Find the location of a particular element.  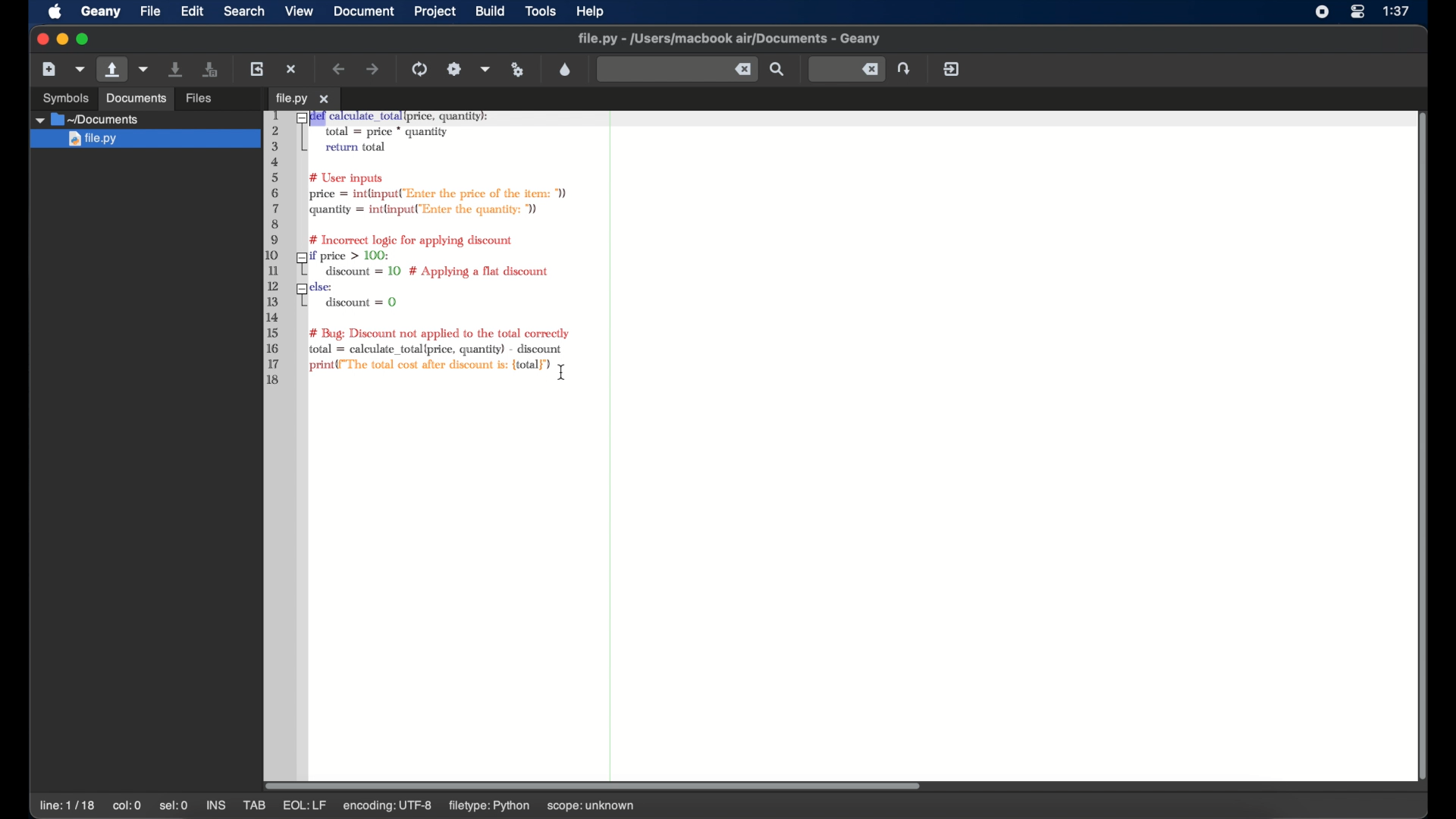

edit is located at coordinates (193, 11).